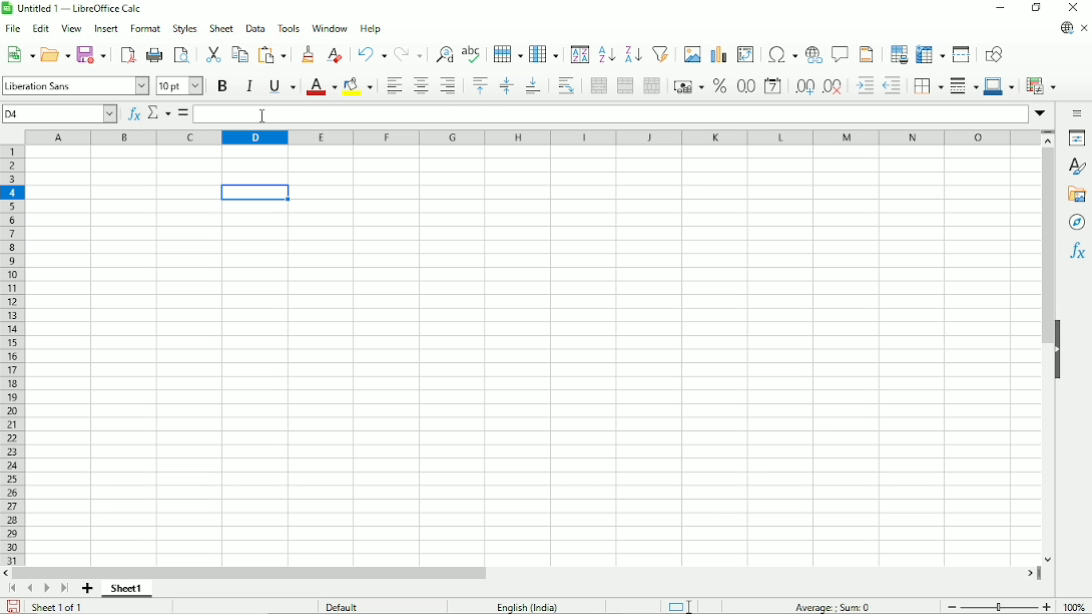 Image resolution: width=1092 pixels, height=614 pixels. Describe the element at coordinates (1001, 8) in the screenshot. I see `Minimize` at that location.